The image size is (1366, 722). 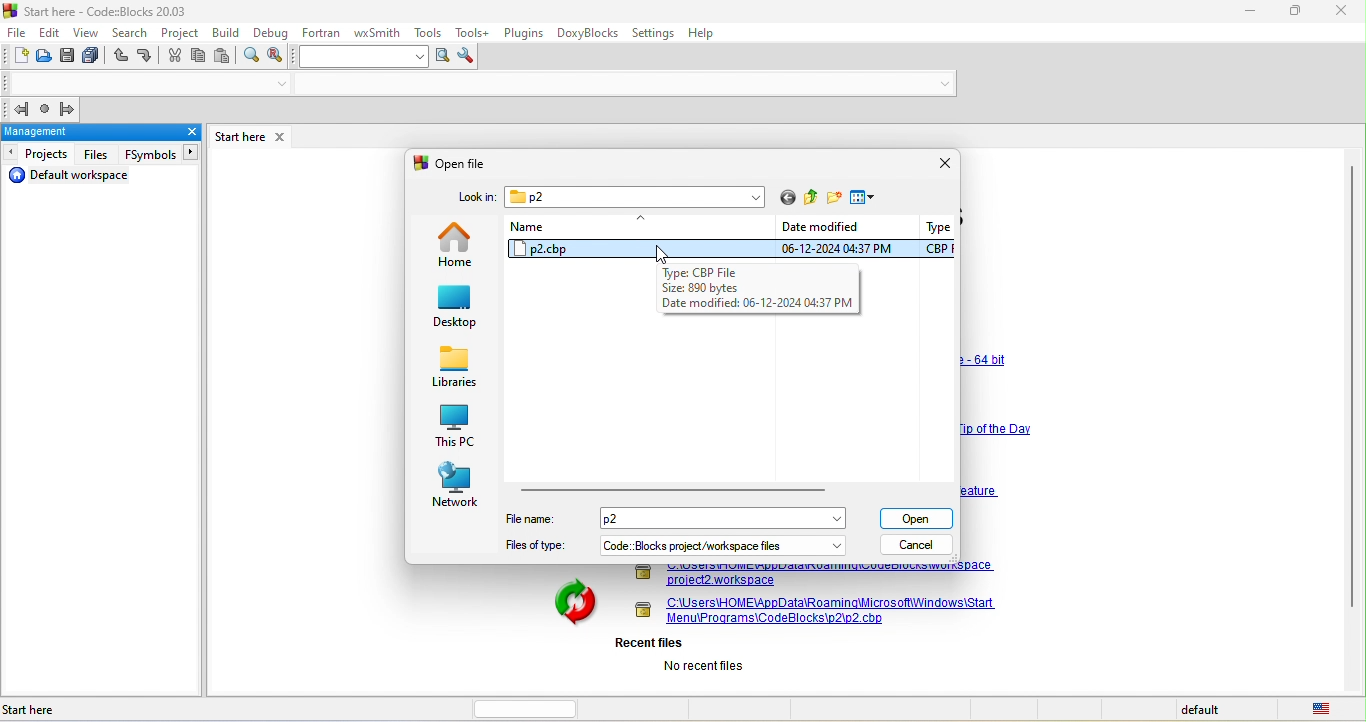 What do you see at coordinates (249, 56) in the screenshot?
I see `find` at bounding box center [249, 56].